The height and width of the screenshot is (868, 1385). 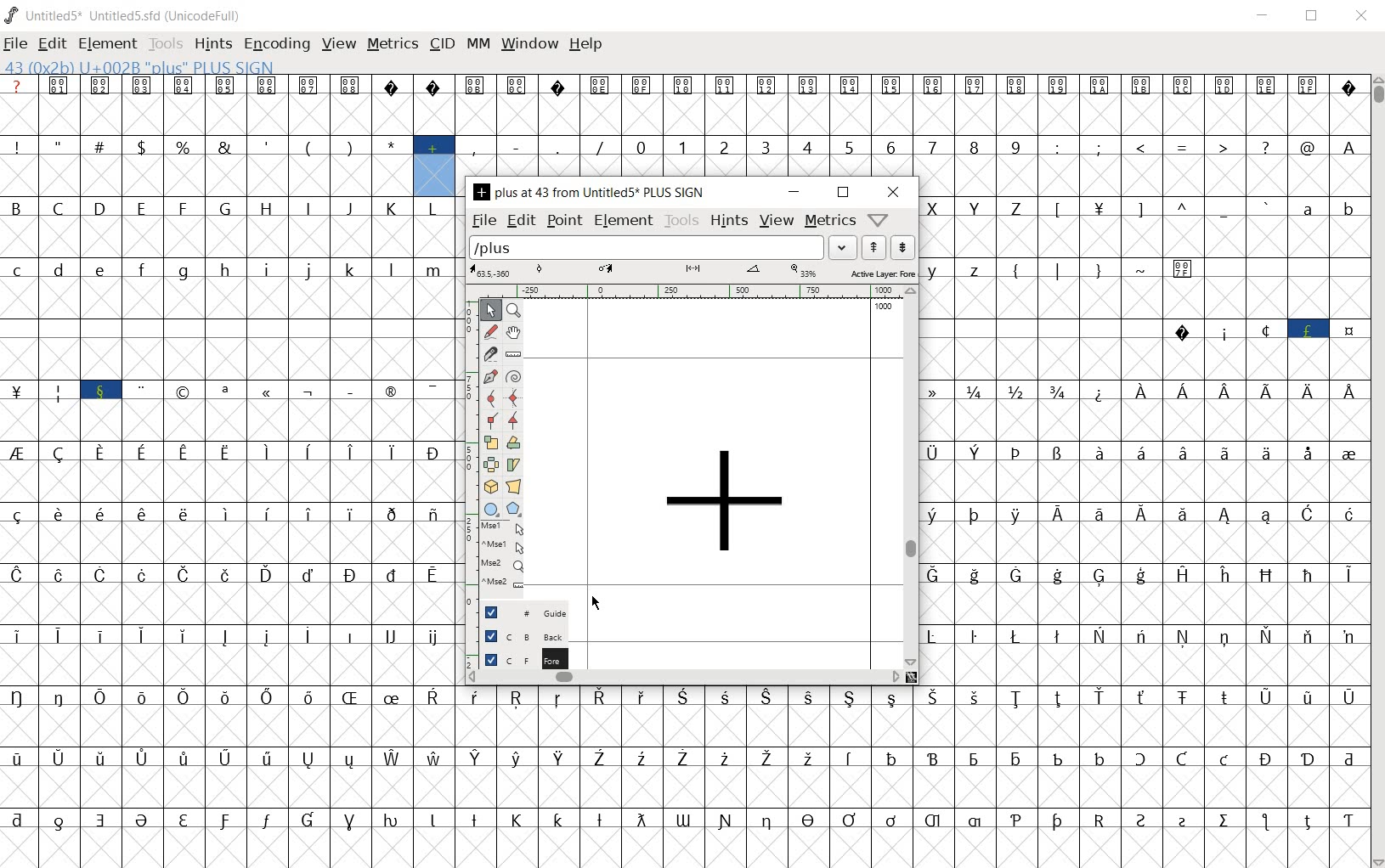 What do you see at coordinates (692, 839) in the screenshot?
I see `special characters` at bounding box center [692, 839].